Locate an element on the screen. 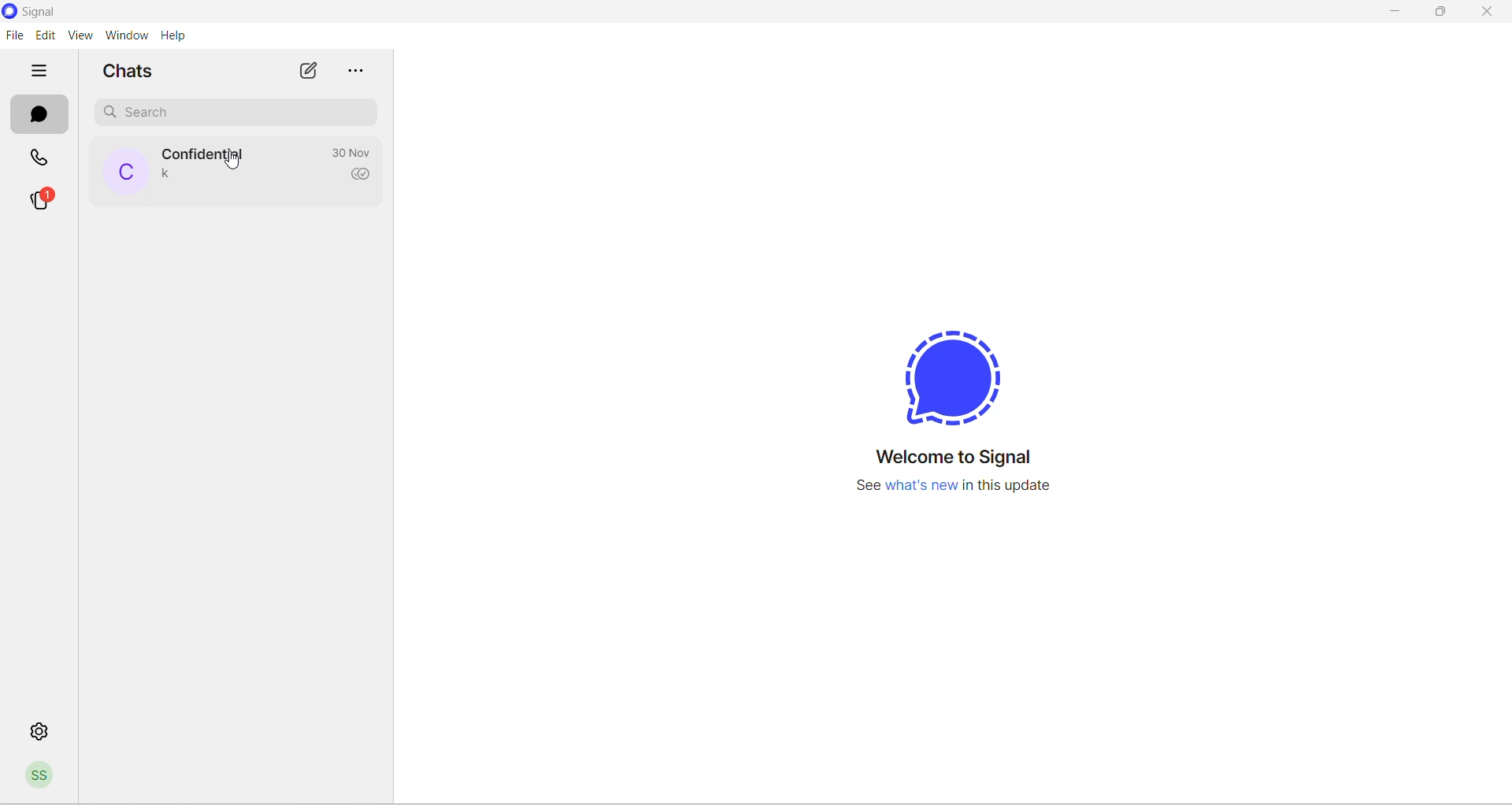 The height and width of the screenshot is (805, 1512). signal logo is located at coordinates (954, 377).